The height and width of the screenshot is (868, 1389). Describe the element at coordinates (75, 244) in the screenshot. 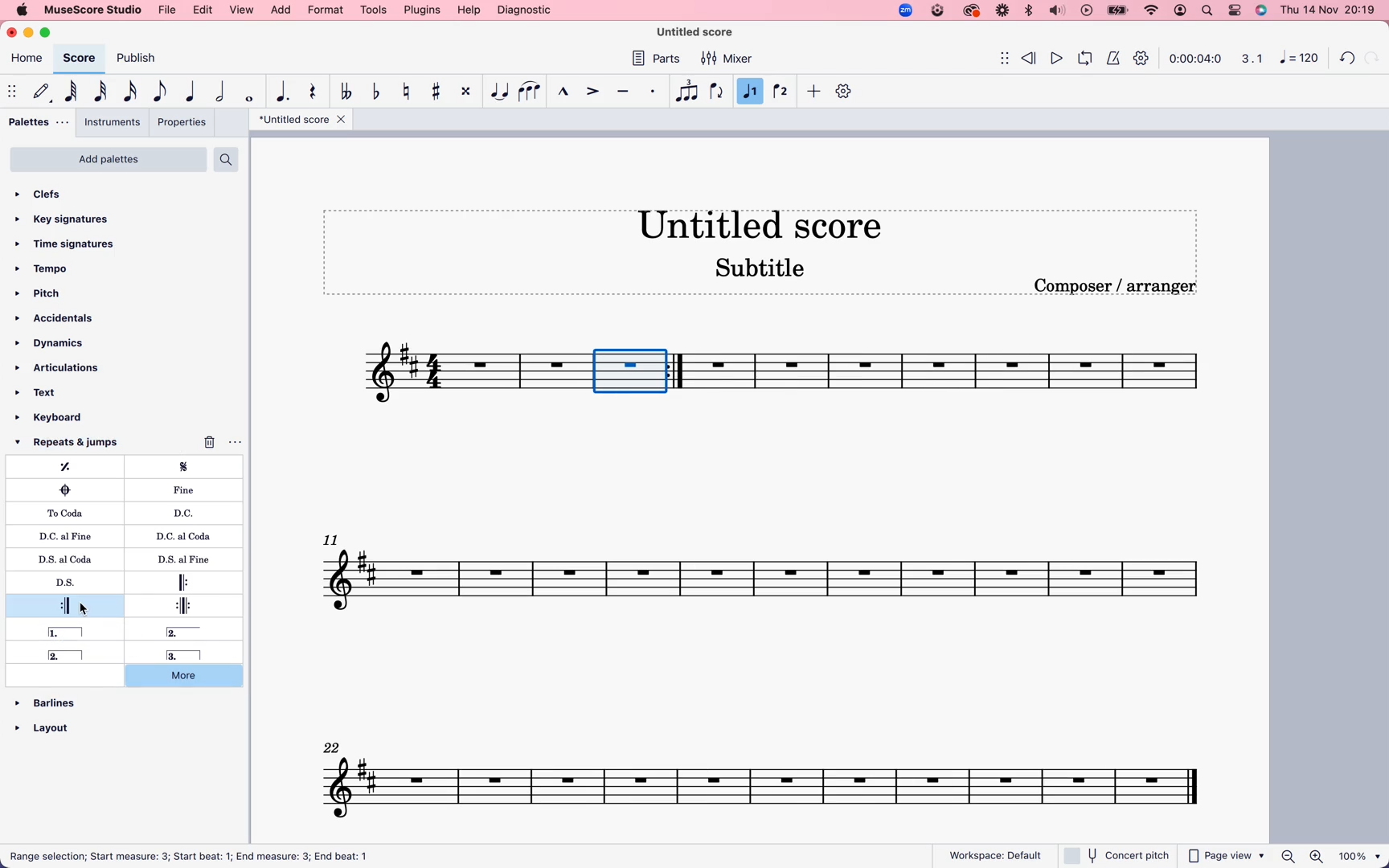

I see `time signatures` at that location.